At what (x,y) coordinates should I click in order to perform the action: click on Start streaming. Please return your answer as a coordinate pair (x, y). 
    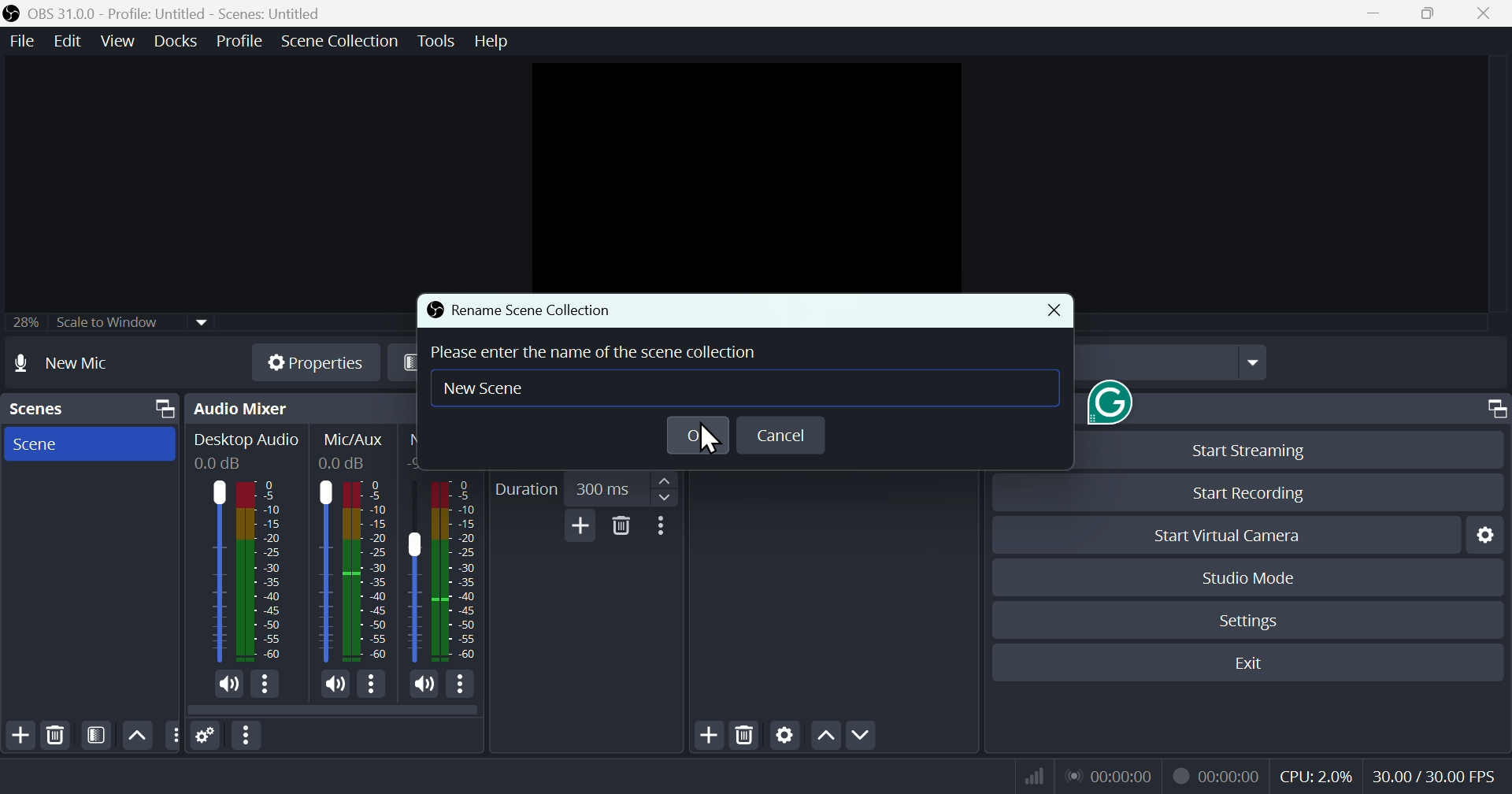
    Looking at the image, I should click on (1250, 448).